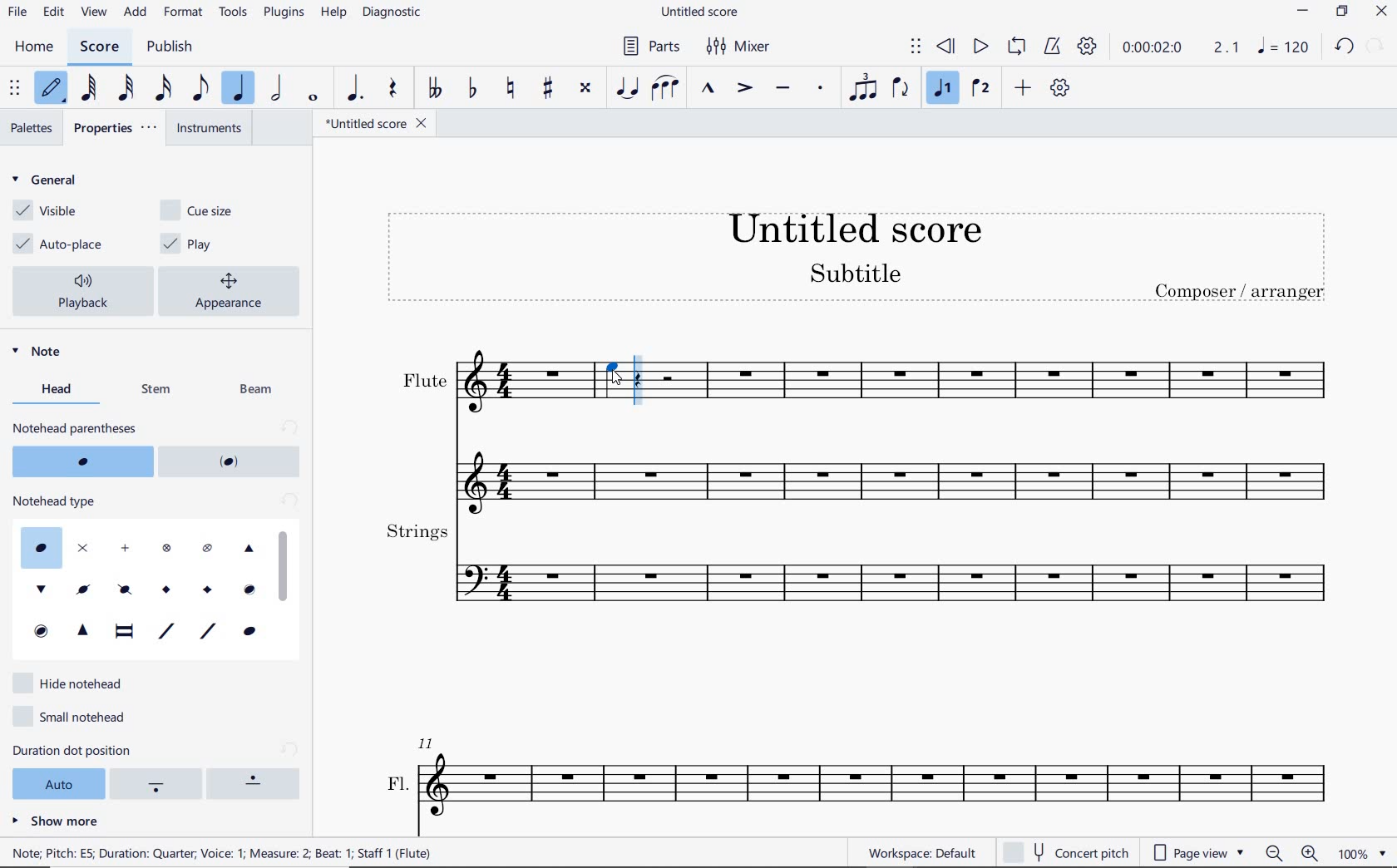 The width and height of the screenshot is (1397, 868). I want to click on TOGGLE SHARP, so click(548, 86).